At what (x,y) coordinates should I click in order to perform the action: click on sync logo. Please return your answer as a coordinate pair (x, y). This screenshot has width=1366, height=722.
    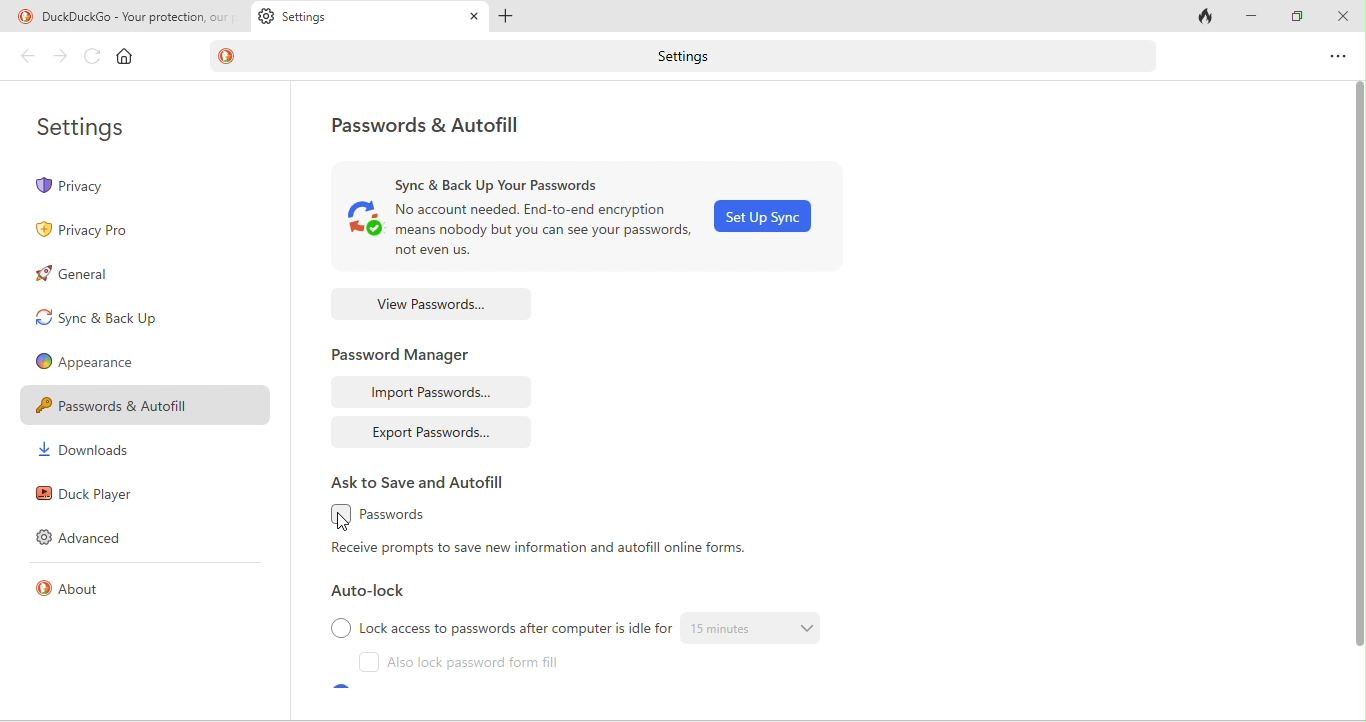
    Looking at the image, I should click on (361, 226).